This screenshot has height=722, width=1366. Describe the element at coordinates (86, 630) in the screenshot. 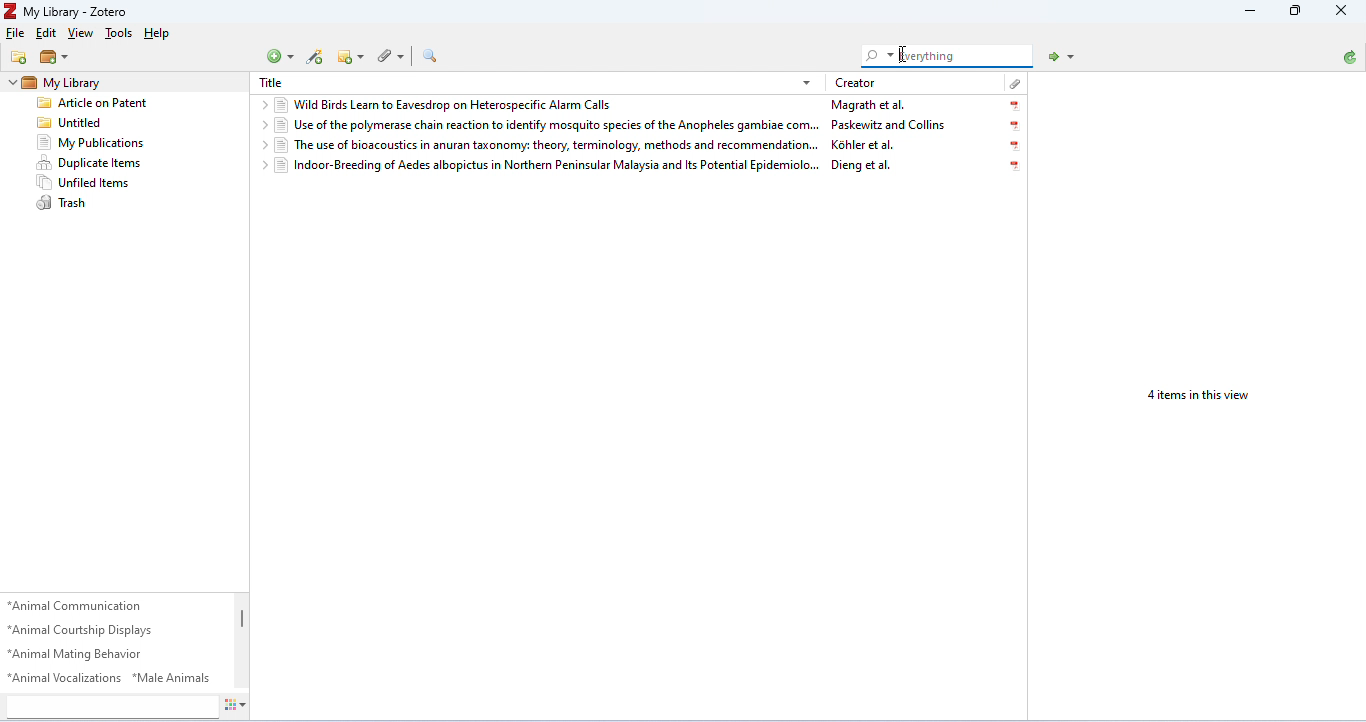

I see `“Animal Courtship Displays` at that location.